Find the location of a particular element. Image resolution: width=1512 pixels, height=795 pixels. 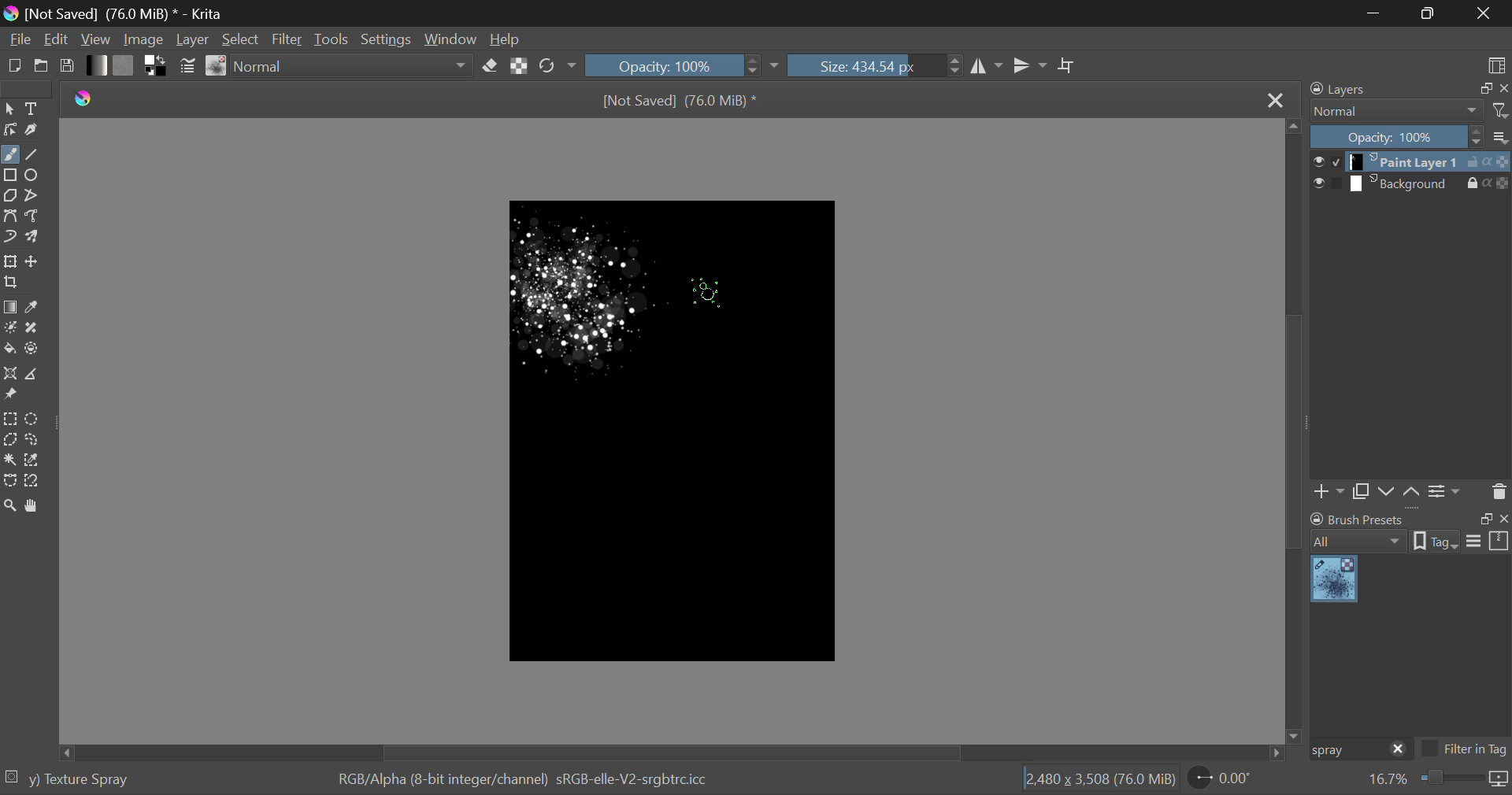

Crop Layer is located at coordinates (13, 283).